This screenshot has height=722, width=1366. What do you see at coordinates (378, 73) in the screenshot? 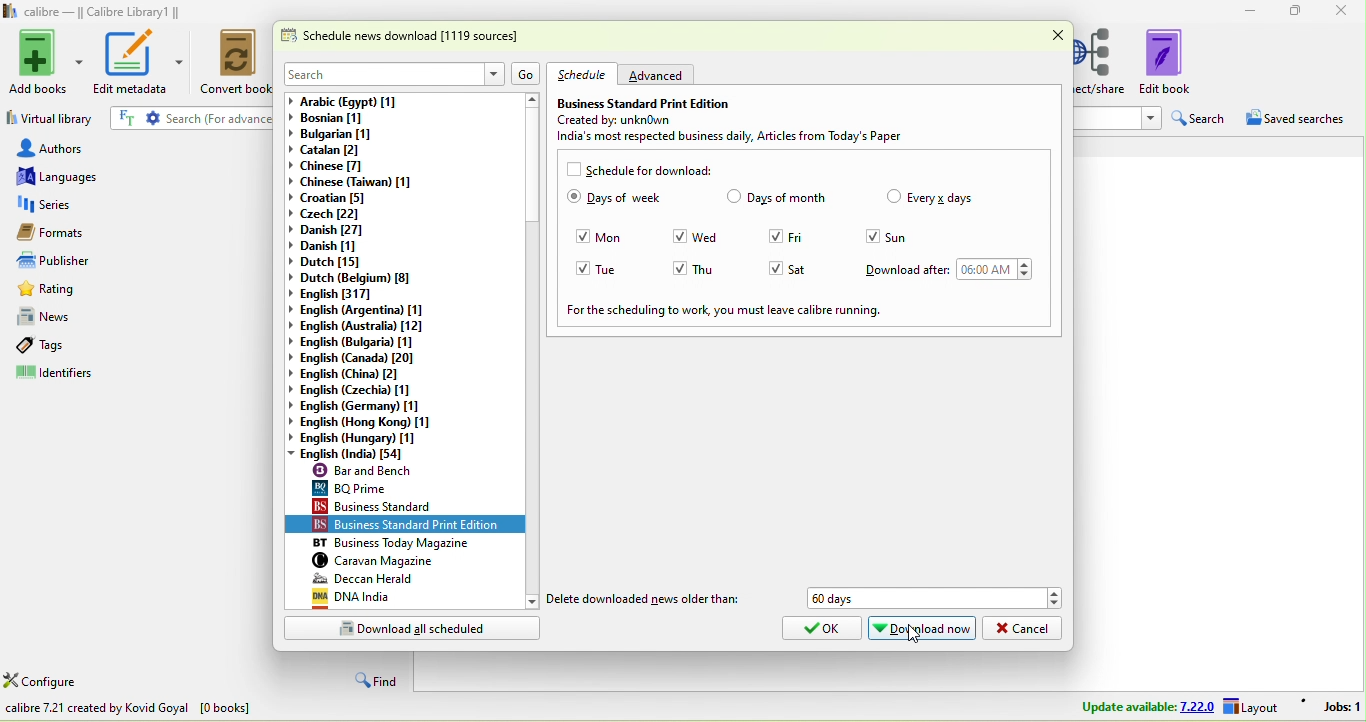
I see `search` at bounding box center [378, 73].